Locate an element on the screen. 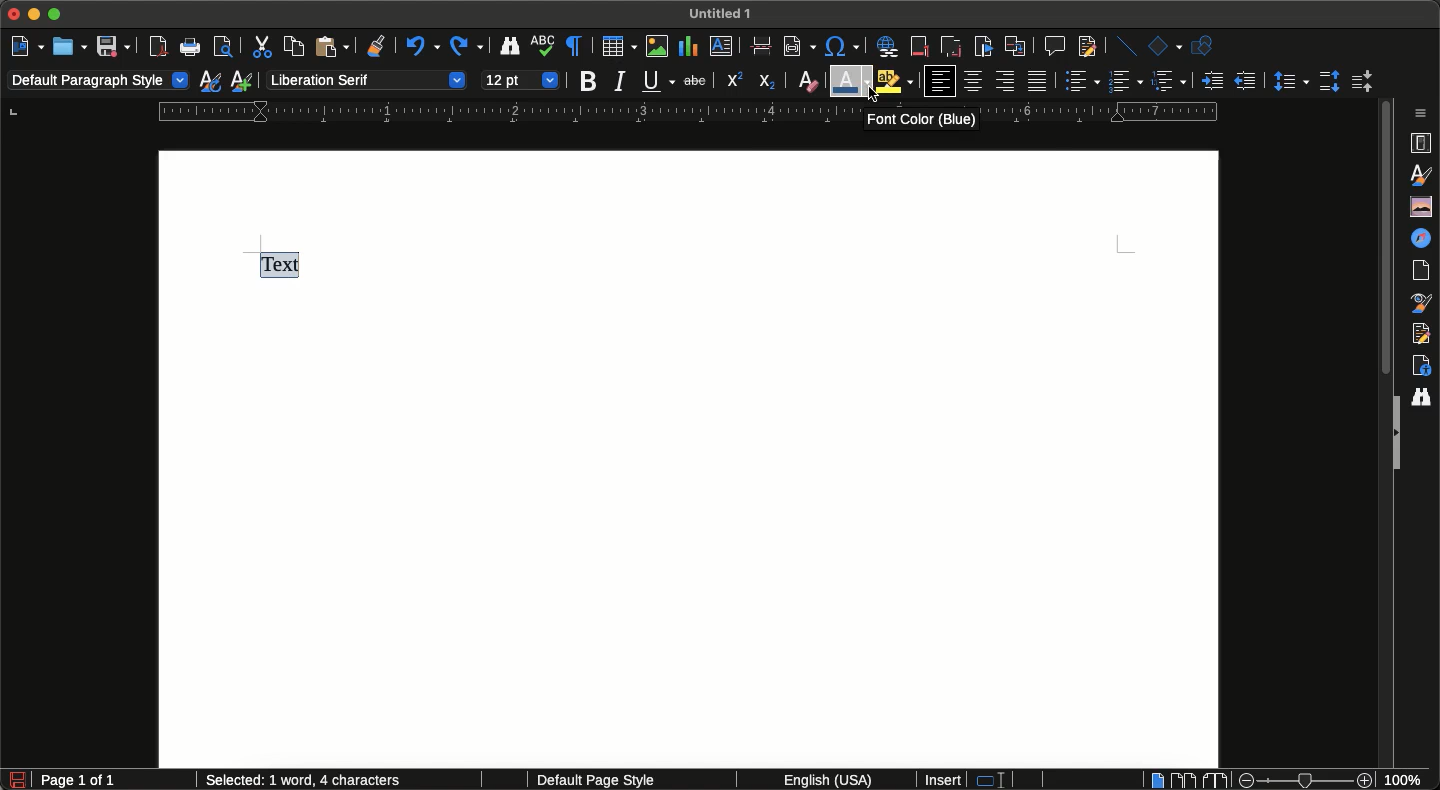  Clear direct formatting is located at coordinates (808, 81).